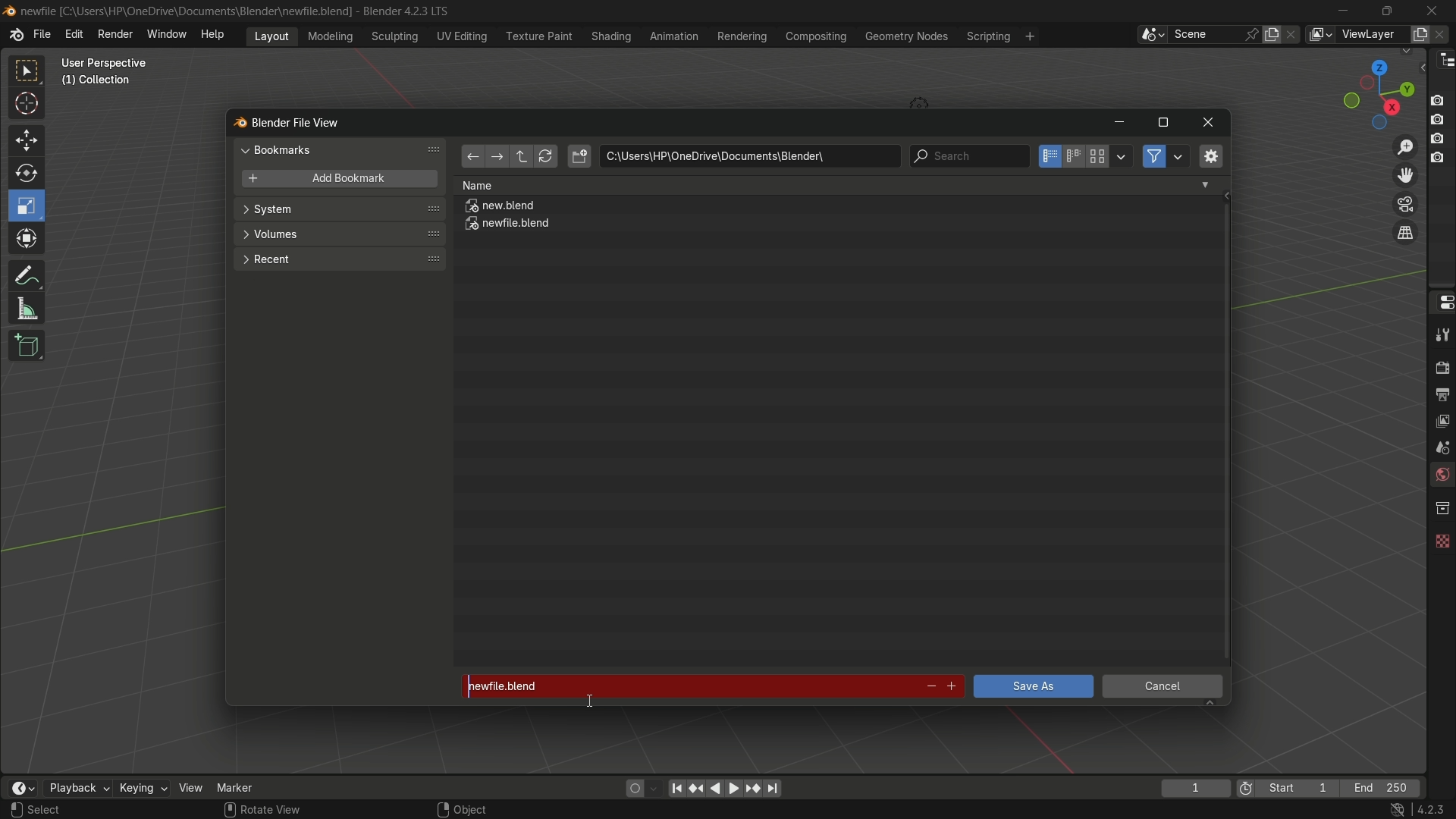 This screenshot has width=1456, height=819. What do you see at coordinates (24, 347) in the screenshot?
I see `add cube` at bounding box center [24, 347].